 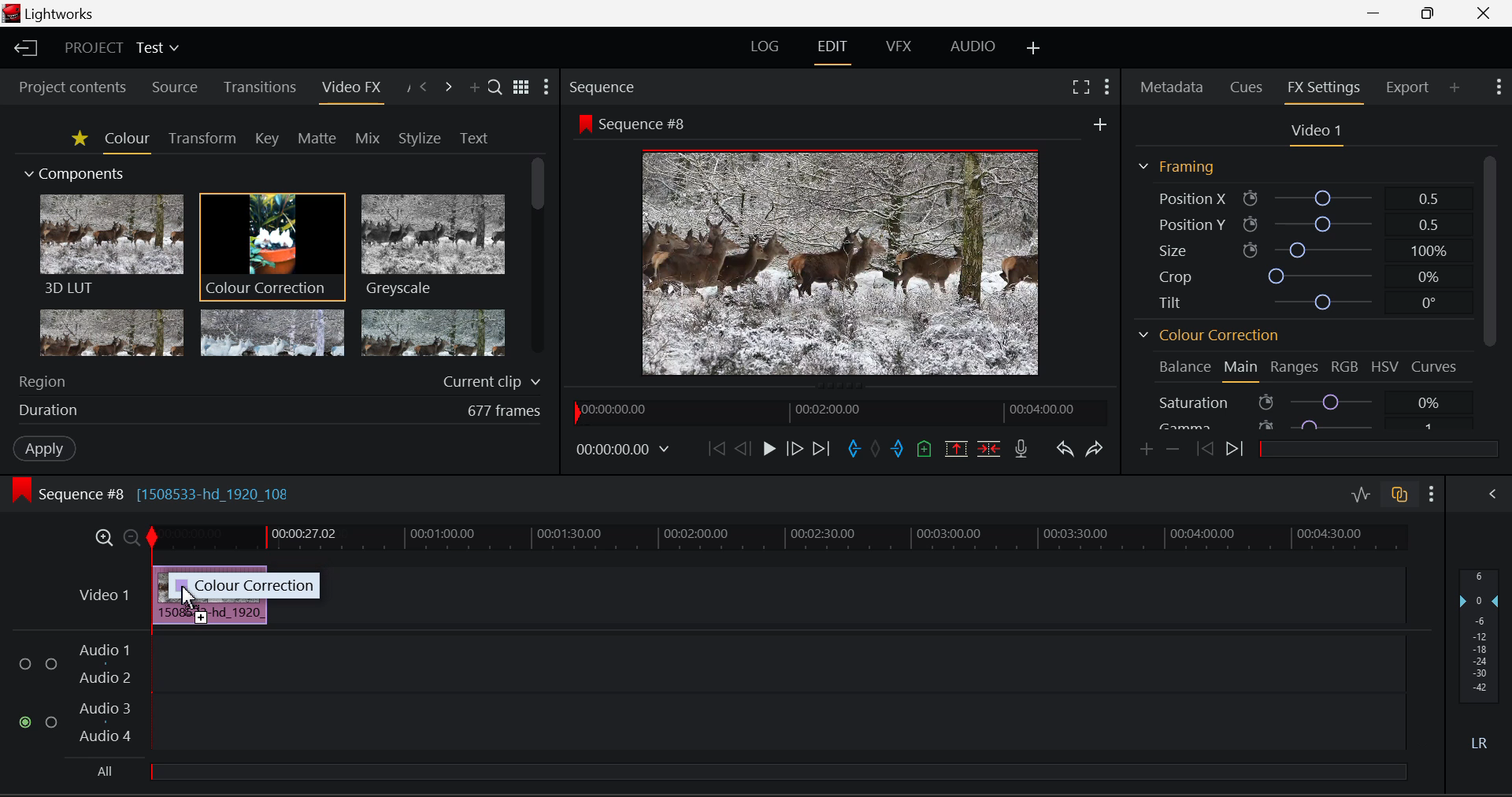 I want to click on Tilt, so click(x=1299, y=301).